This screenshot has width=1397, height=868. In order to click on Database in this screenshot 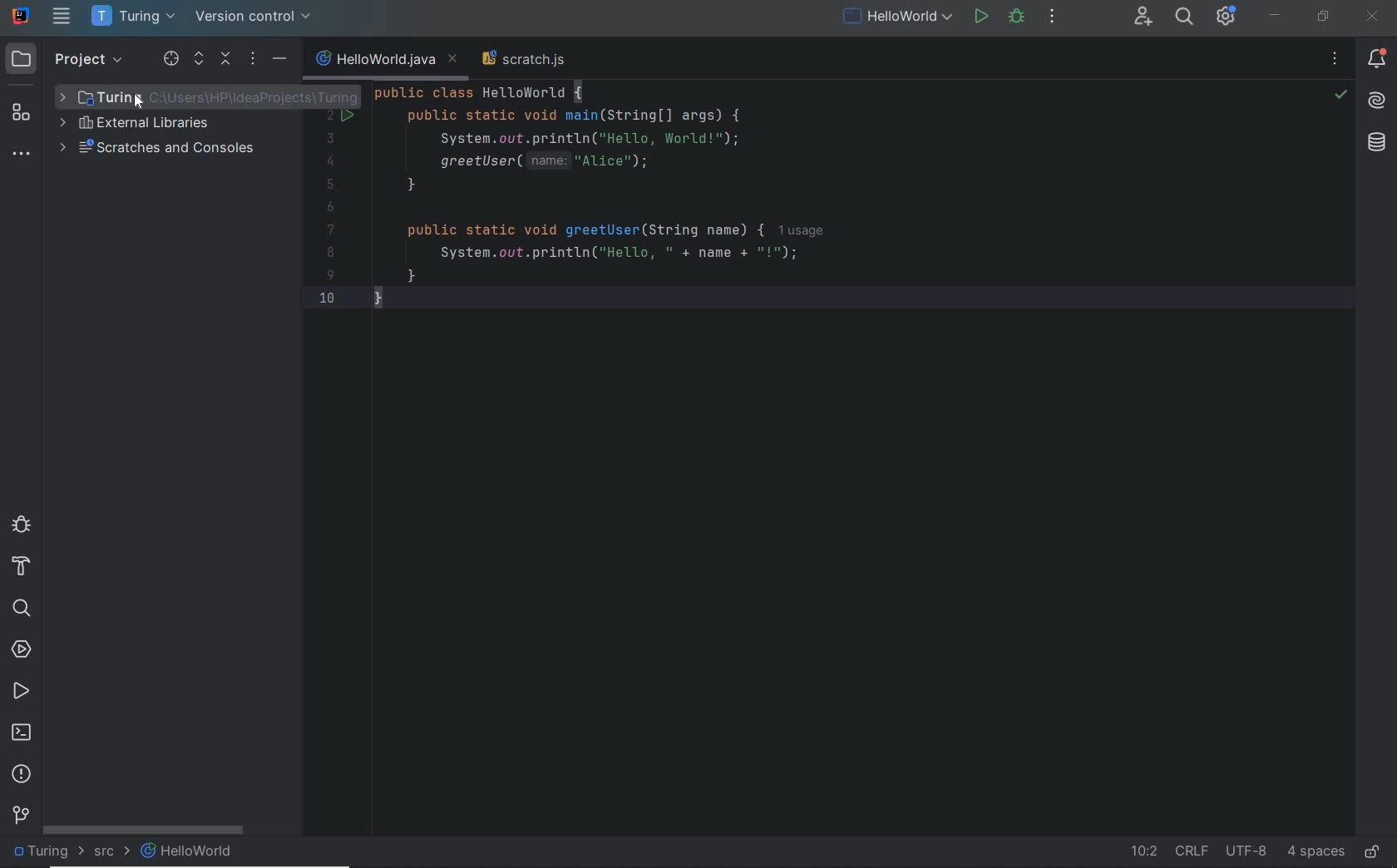, I will do `click(1378, 142)`.